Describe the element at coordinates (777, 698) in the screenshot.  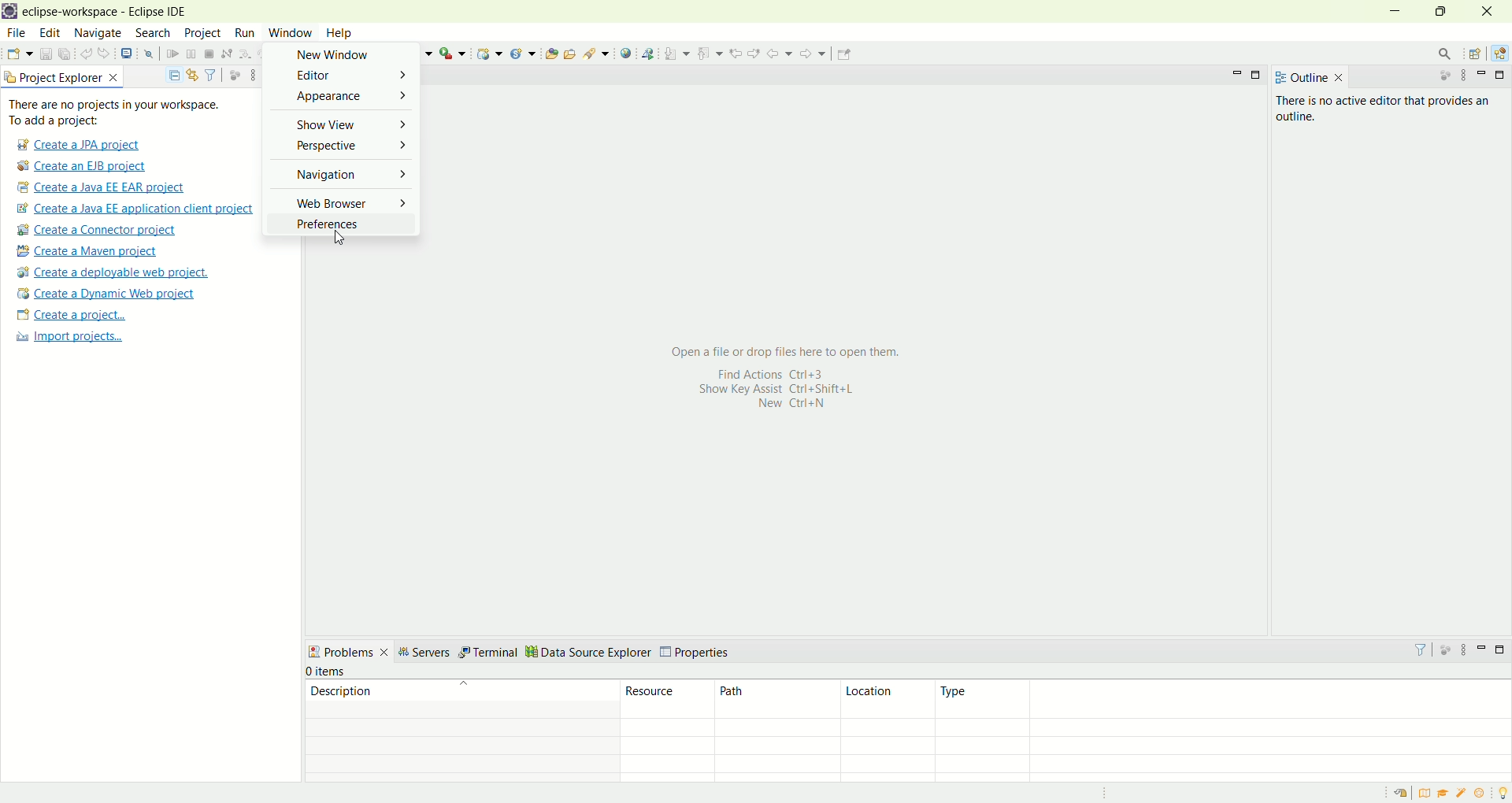
I see `path` at that location.